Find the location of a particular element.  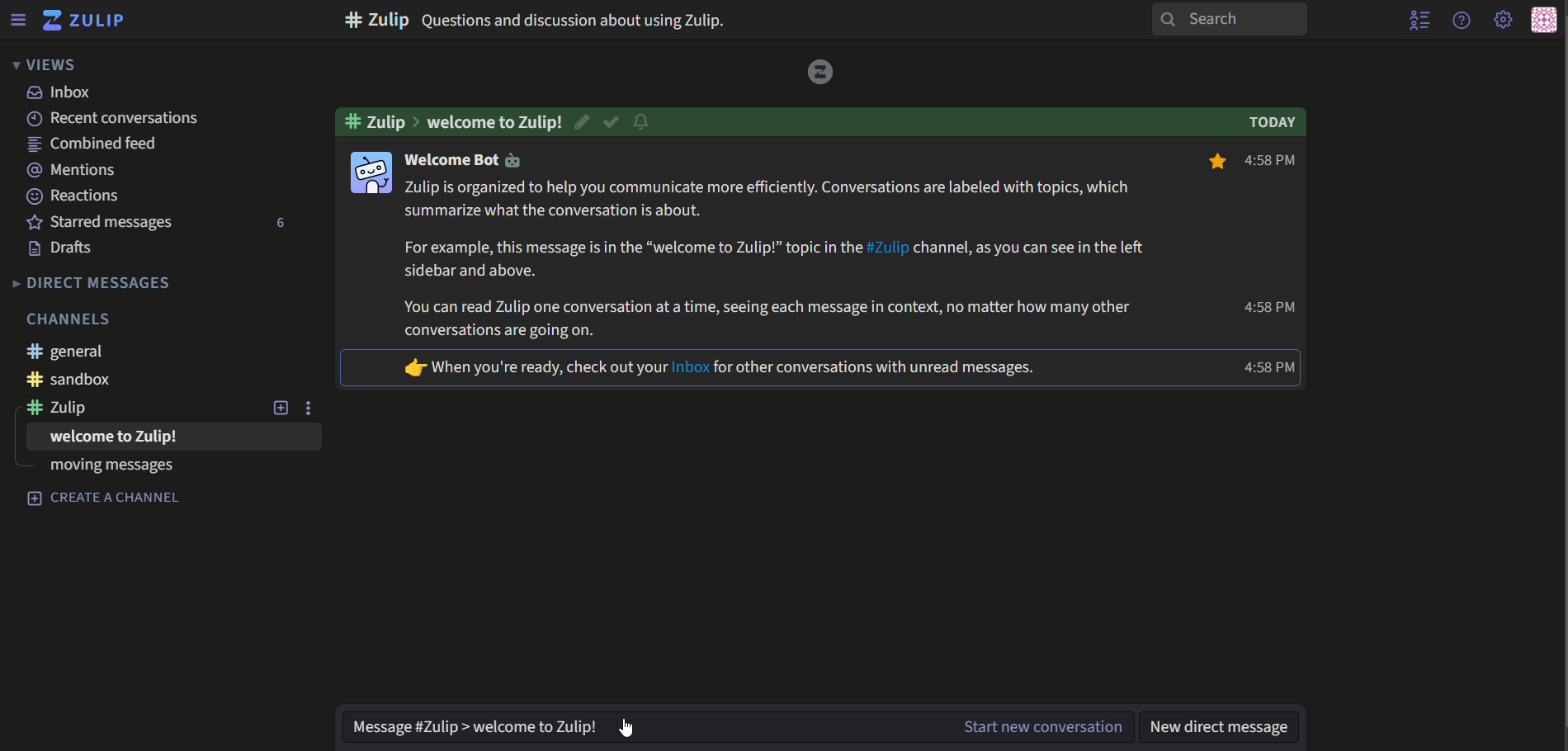

text is located at coordinates (93, 282).